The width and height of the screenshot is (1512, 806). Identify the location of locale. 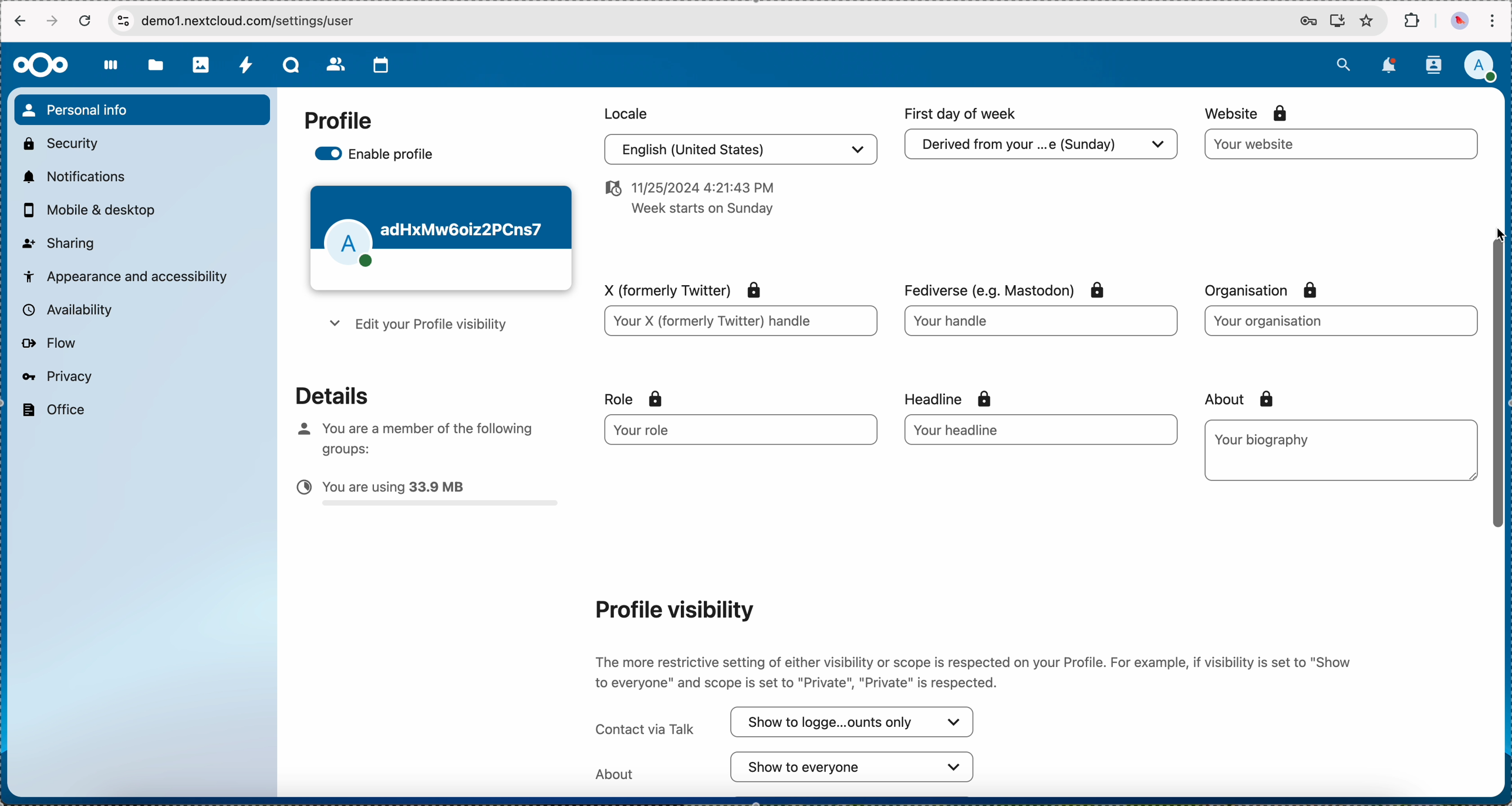
(623, 112).